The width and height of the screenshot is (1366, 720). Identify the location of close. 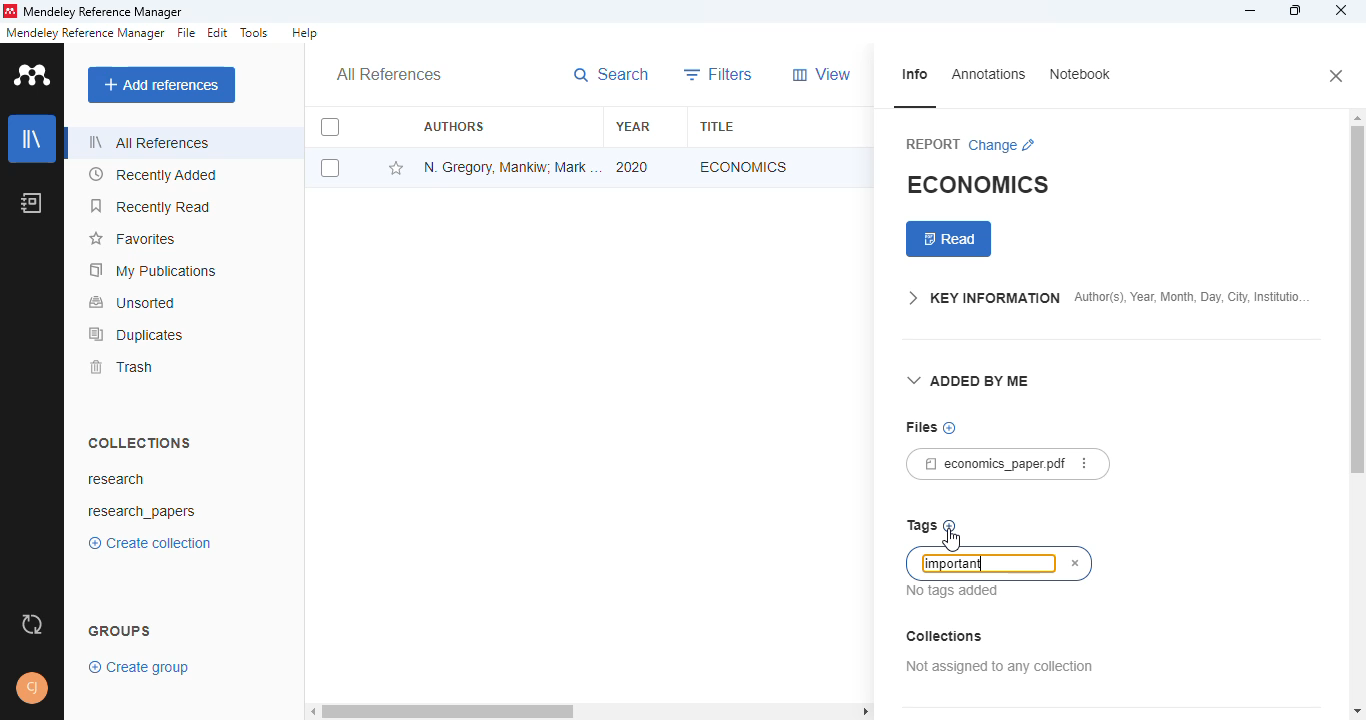
(1341, 10).